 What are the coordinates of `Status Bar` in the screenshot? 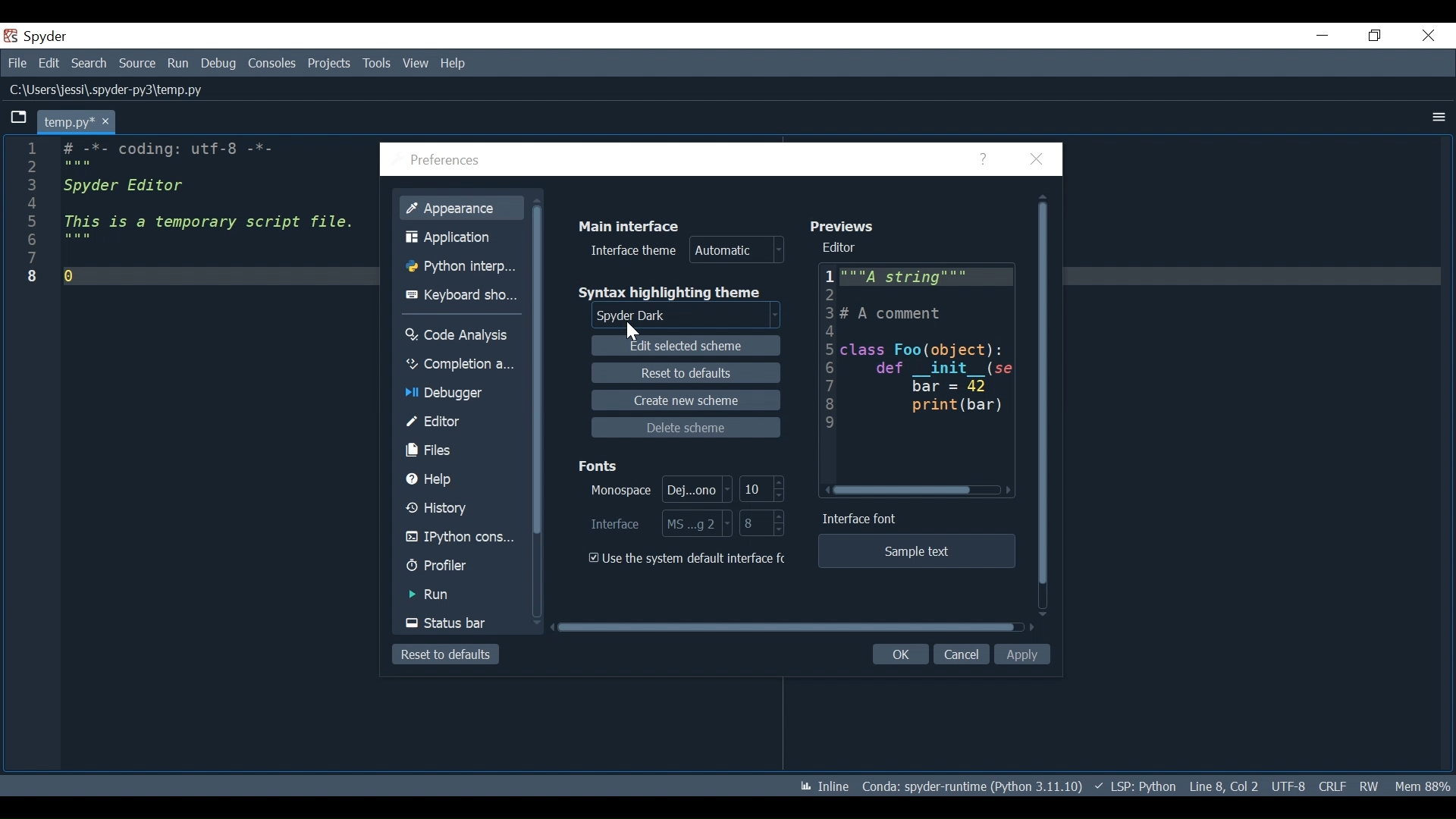 It's located at (461, 623).